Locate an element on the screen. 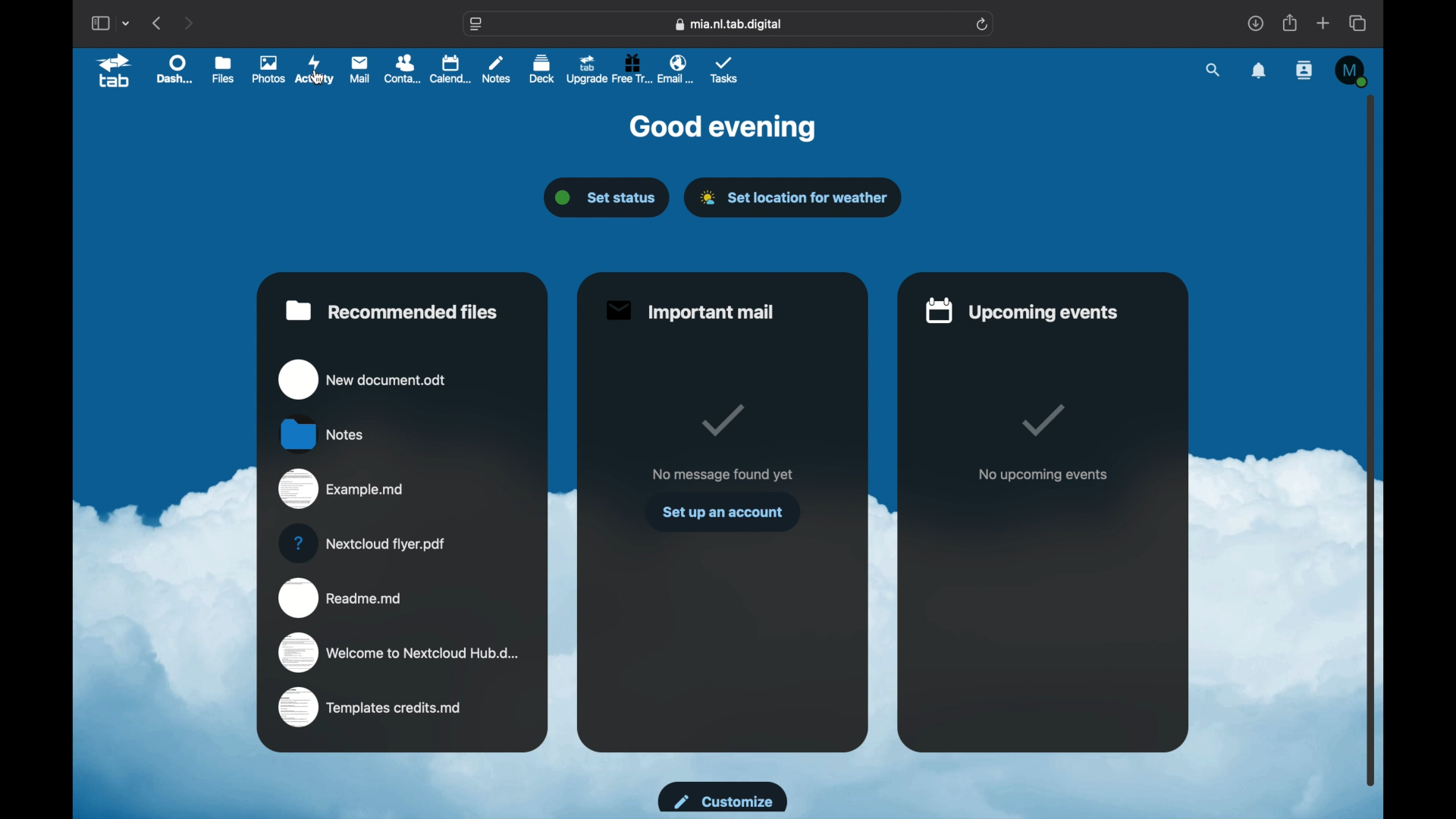  notes is located at coordinates (320, 432).